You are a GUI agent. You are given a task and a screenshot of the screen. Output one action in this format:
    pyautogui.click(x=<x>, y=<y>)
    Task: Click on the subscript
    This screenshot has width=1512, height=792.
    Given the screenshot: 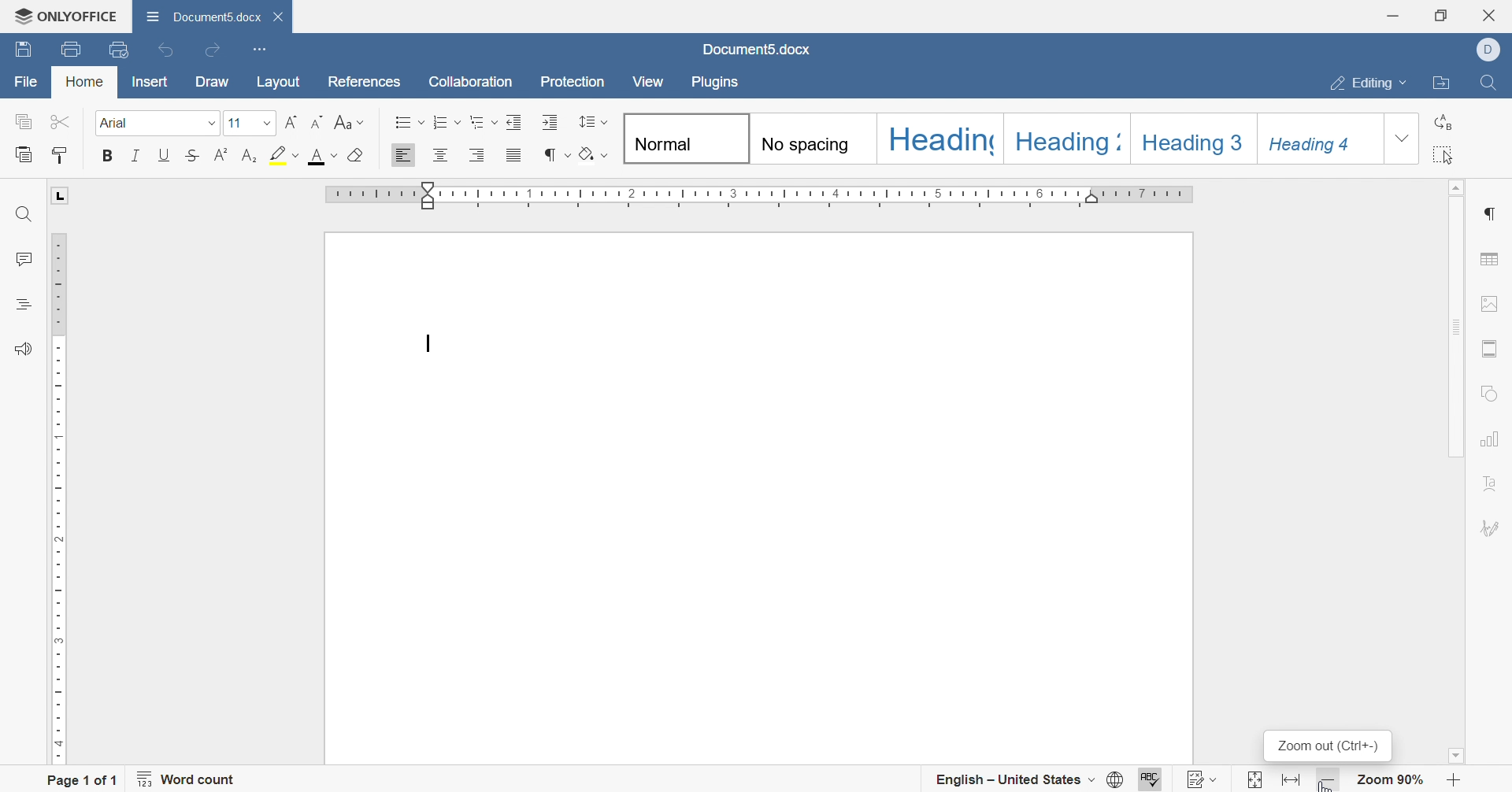 What is the action you would take?
    pyautogui.click(x=247, y=157)
    